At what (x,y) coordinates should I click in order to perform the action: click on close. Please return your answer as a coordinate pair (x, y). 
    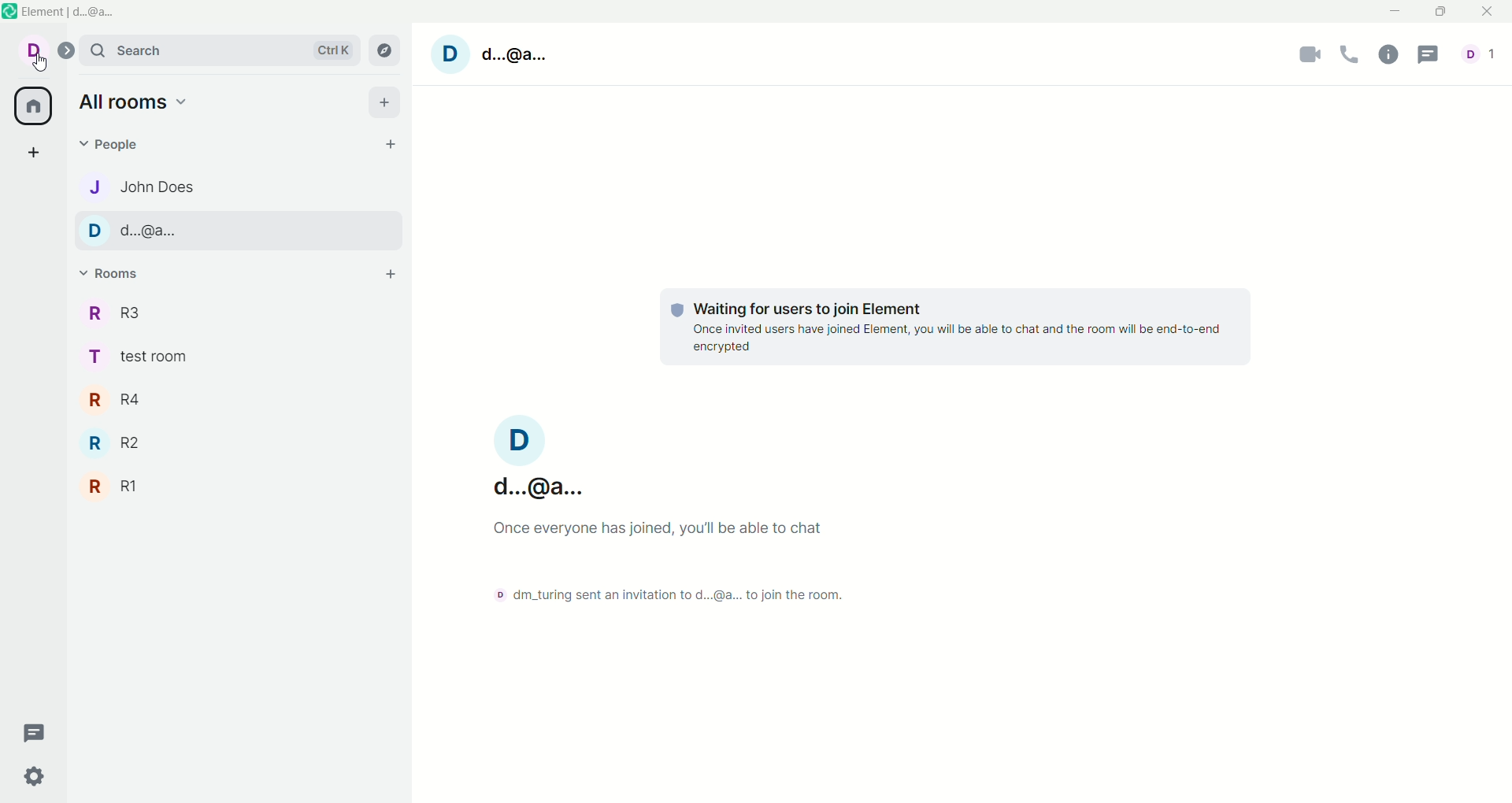
    Looking at the image, I should click on (1489, 13).